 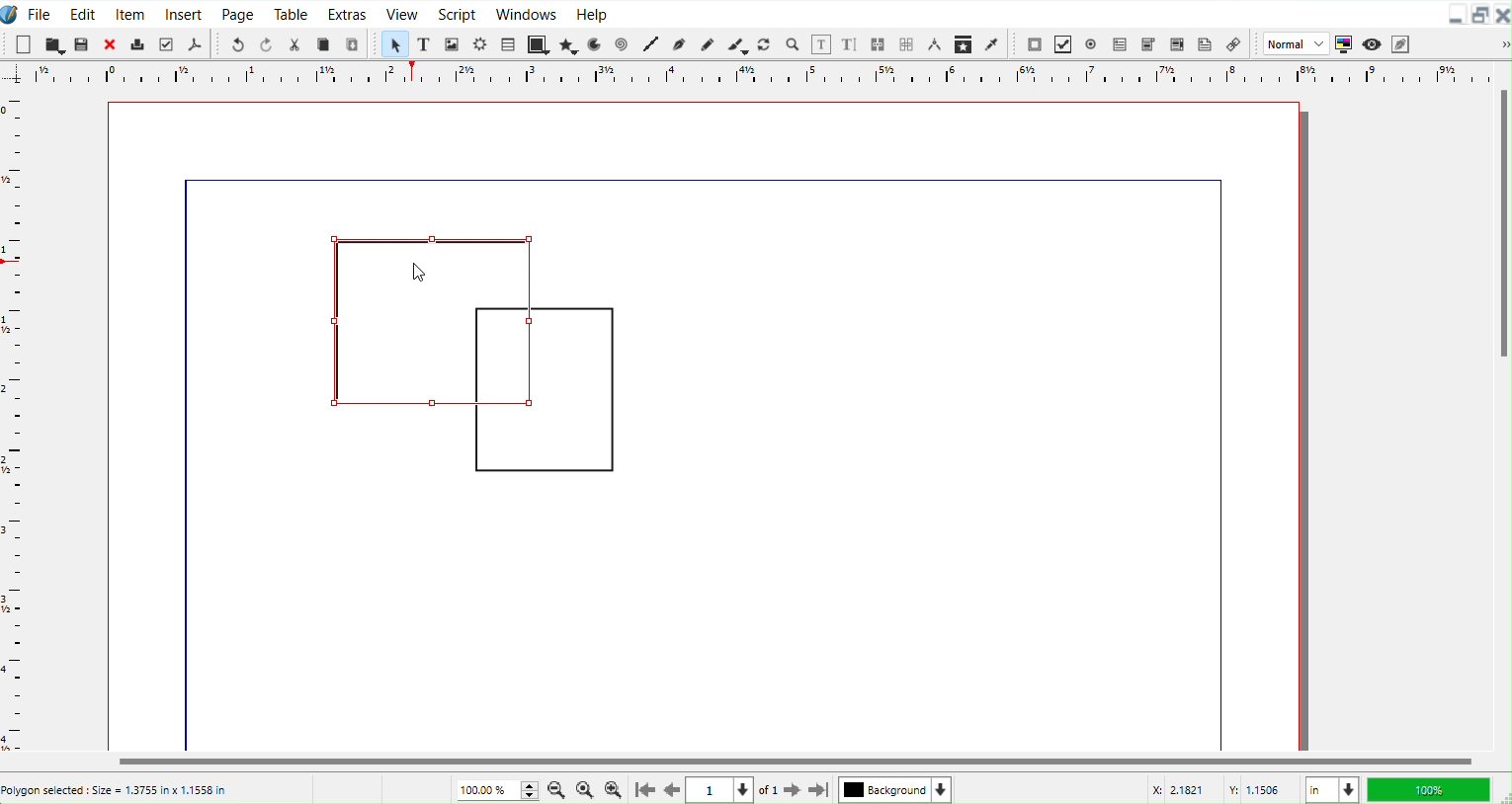 I want to click on line, so click(x=579, y=310).